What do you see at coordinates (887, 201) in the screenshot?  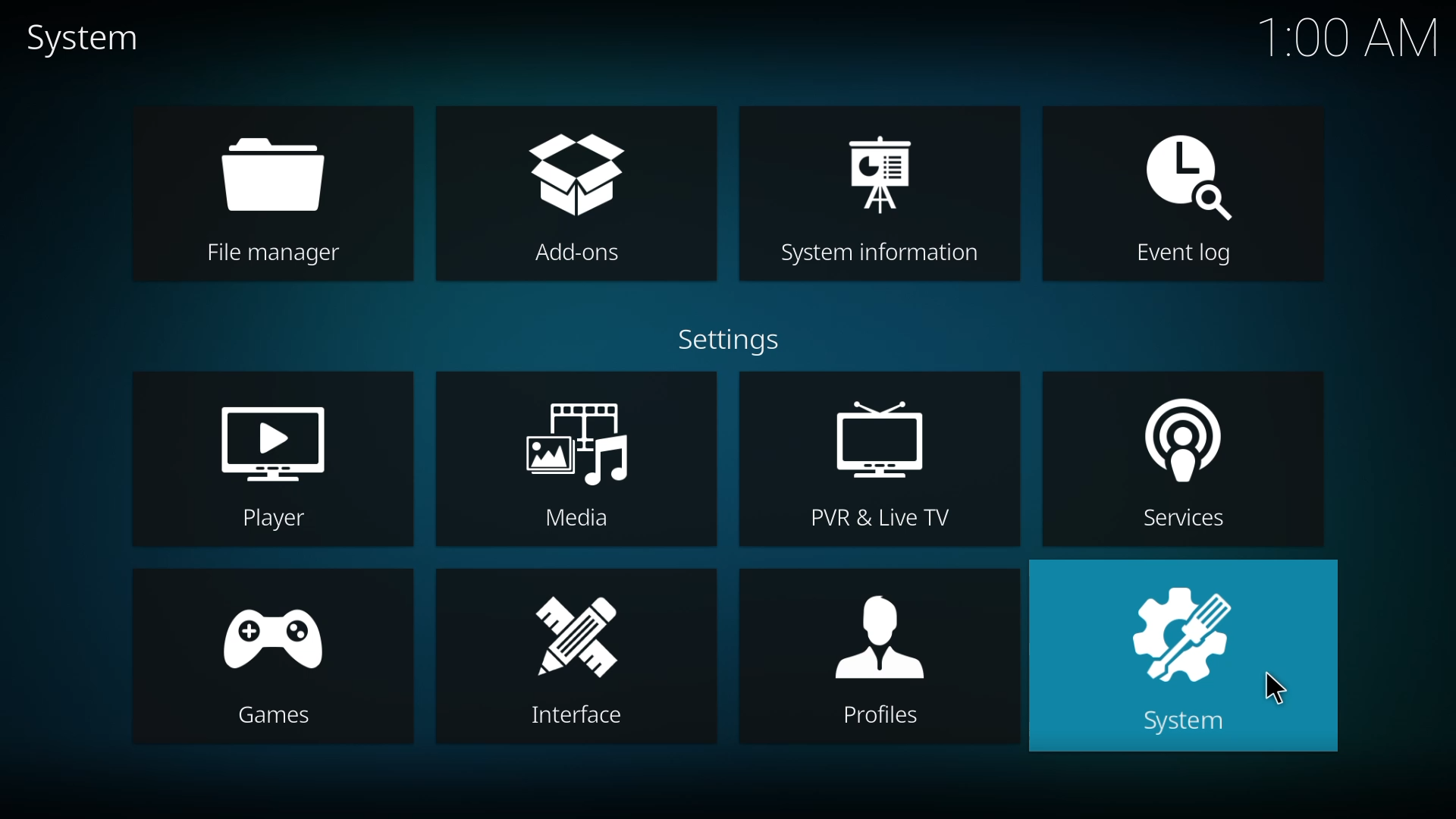 I see `system info` at bounding box center [887, 201].